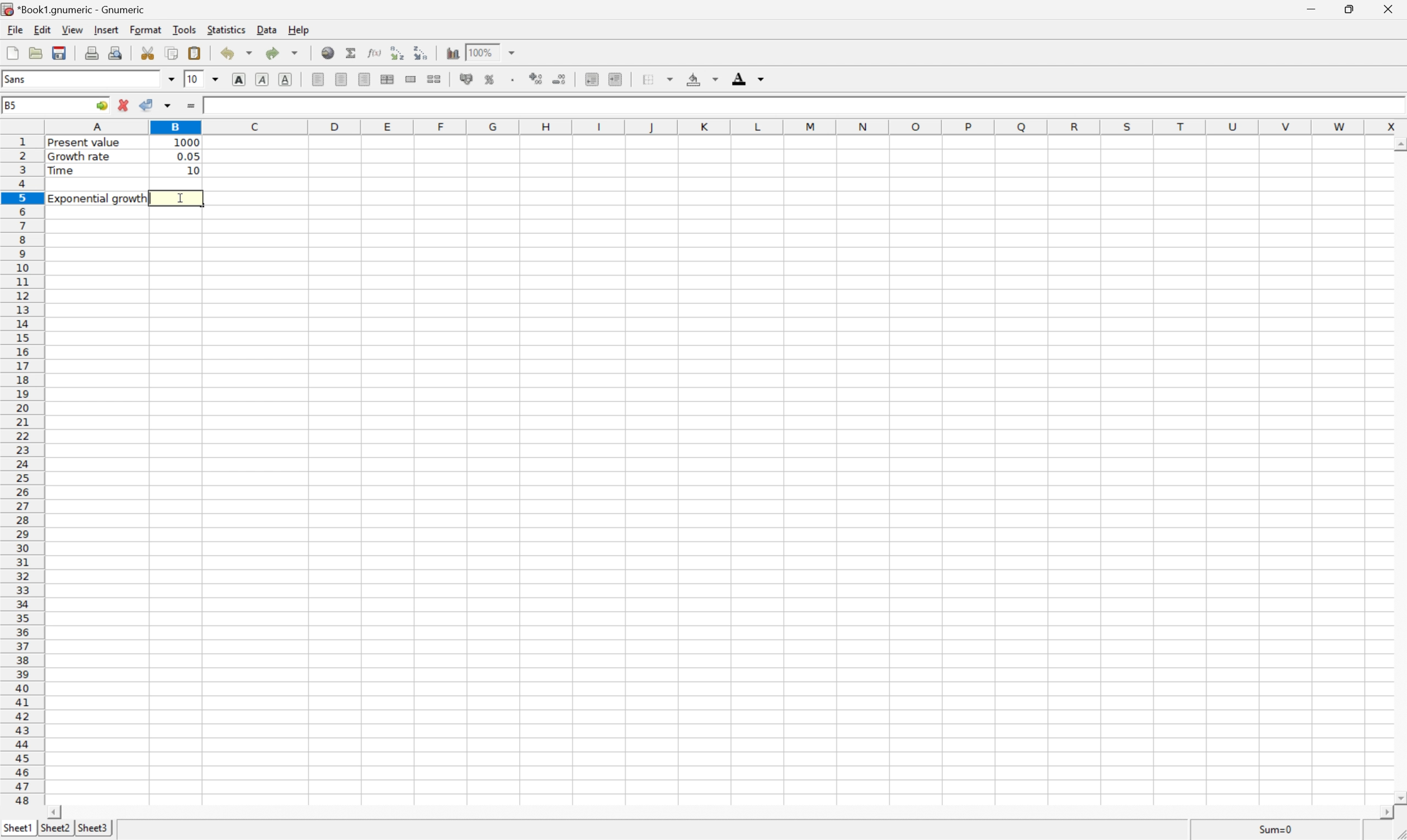  Describe the element at coordinates (617, 79) in the screenshot. I see `Increase indent, and align the contents to the left` at that location.